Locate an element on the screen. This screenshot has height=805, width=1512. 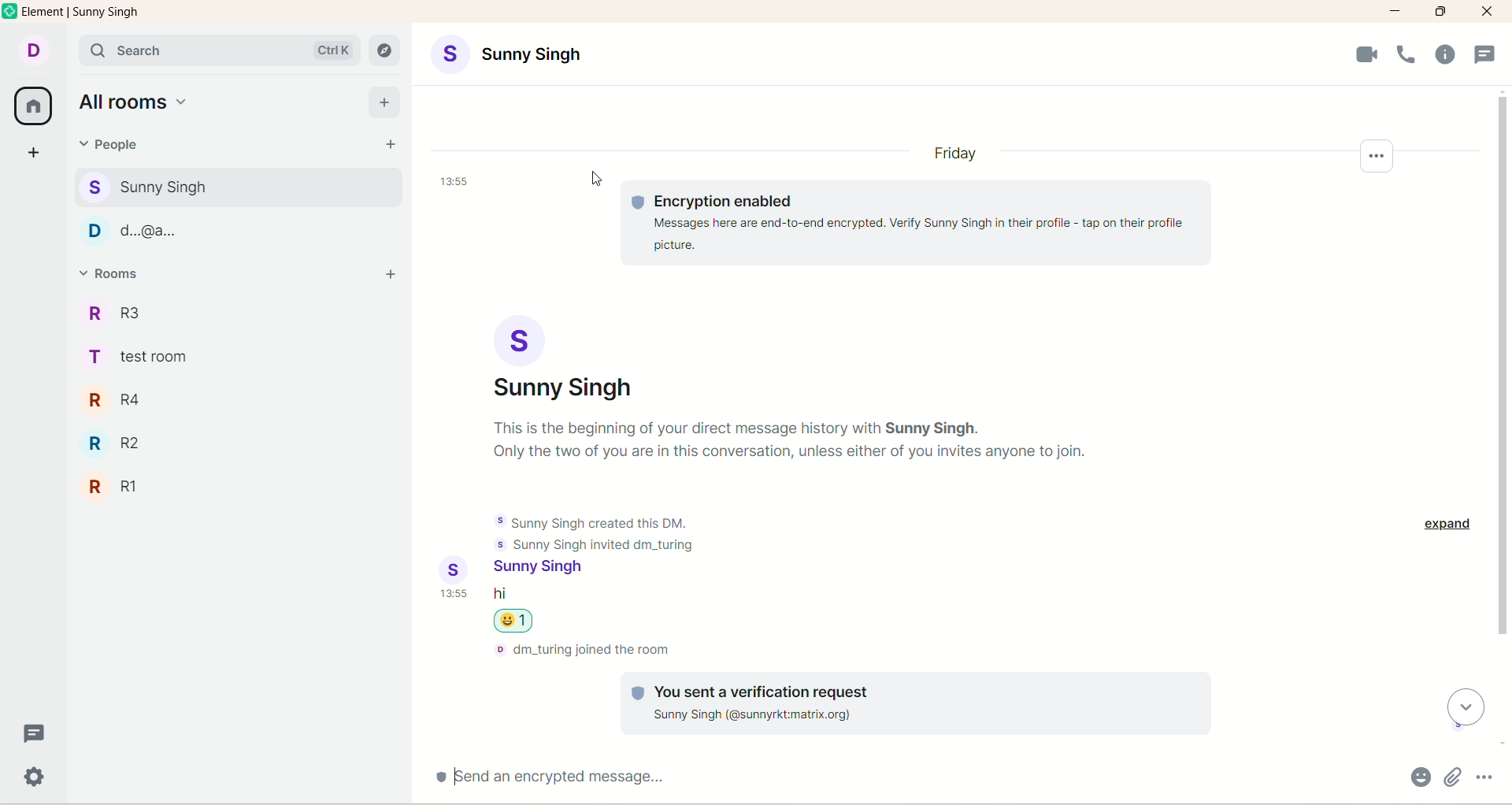
emojis is located at coordinates (1421, 777).